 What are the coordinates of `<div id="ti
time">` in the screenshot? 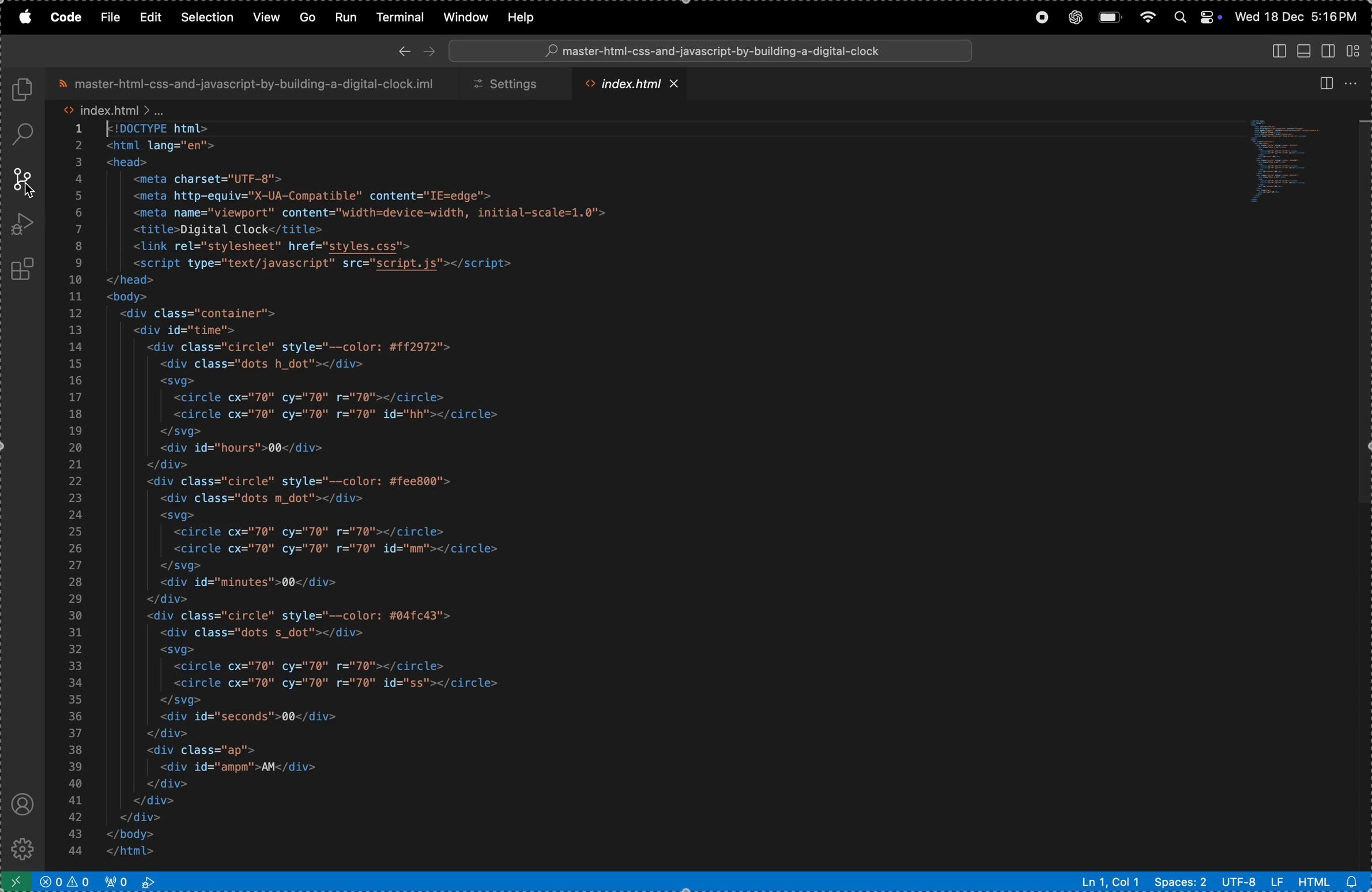 It's located at (186, 331).